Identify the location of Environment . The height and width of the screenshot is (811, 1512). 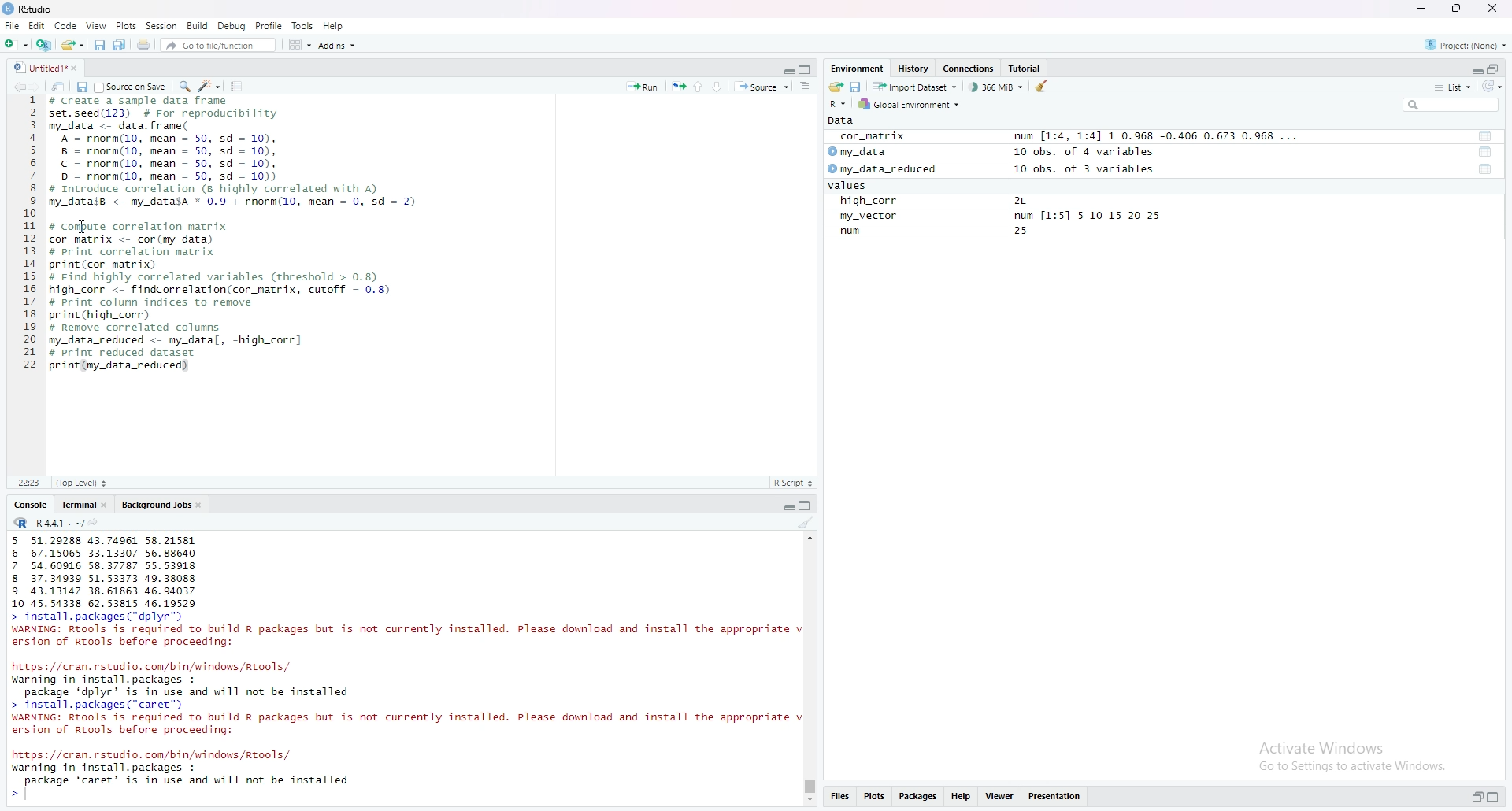
(858, 68).